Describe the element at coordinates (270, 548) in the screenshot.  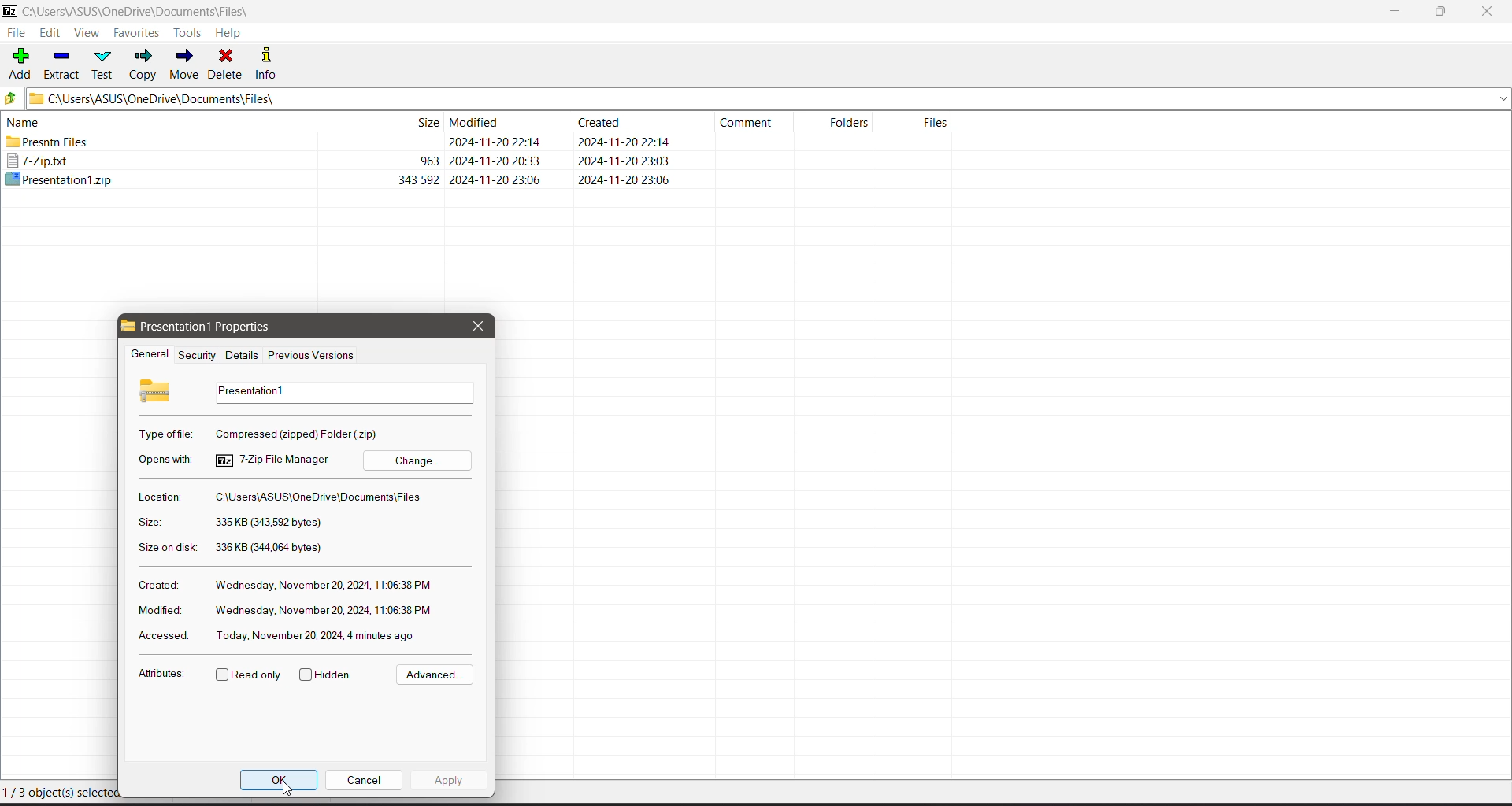
I see `Total size of the selected file` at that location.